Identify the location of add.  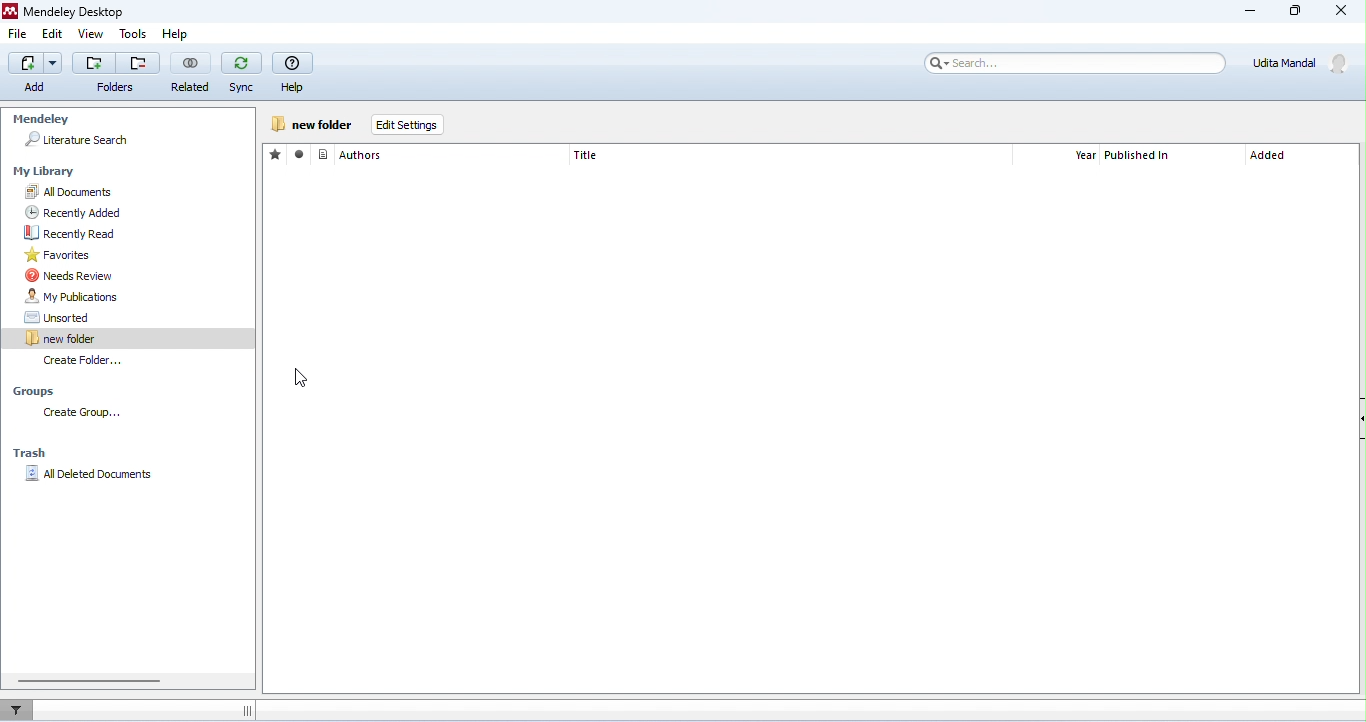
(28, 72).